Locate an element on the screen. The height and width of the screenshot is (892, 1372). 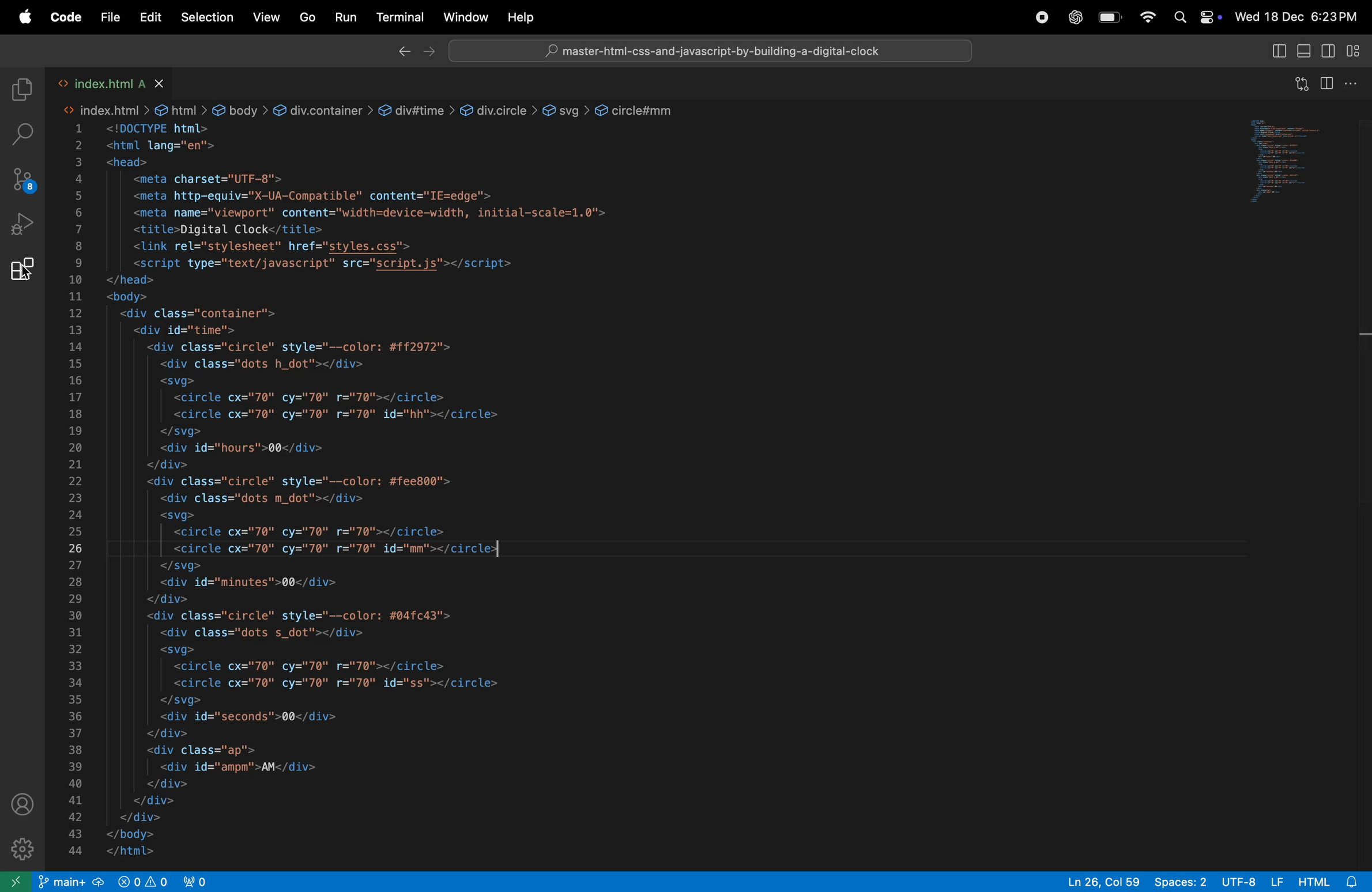
run is located at coordinates (342, 17).